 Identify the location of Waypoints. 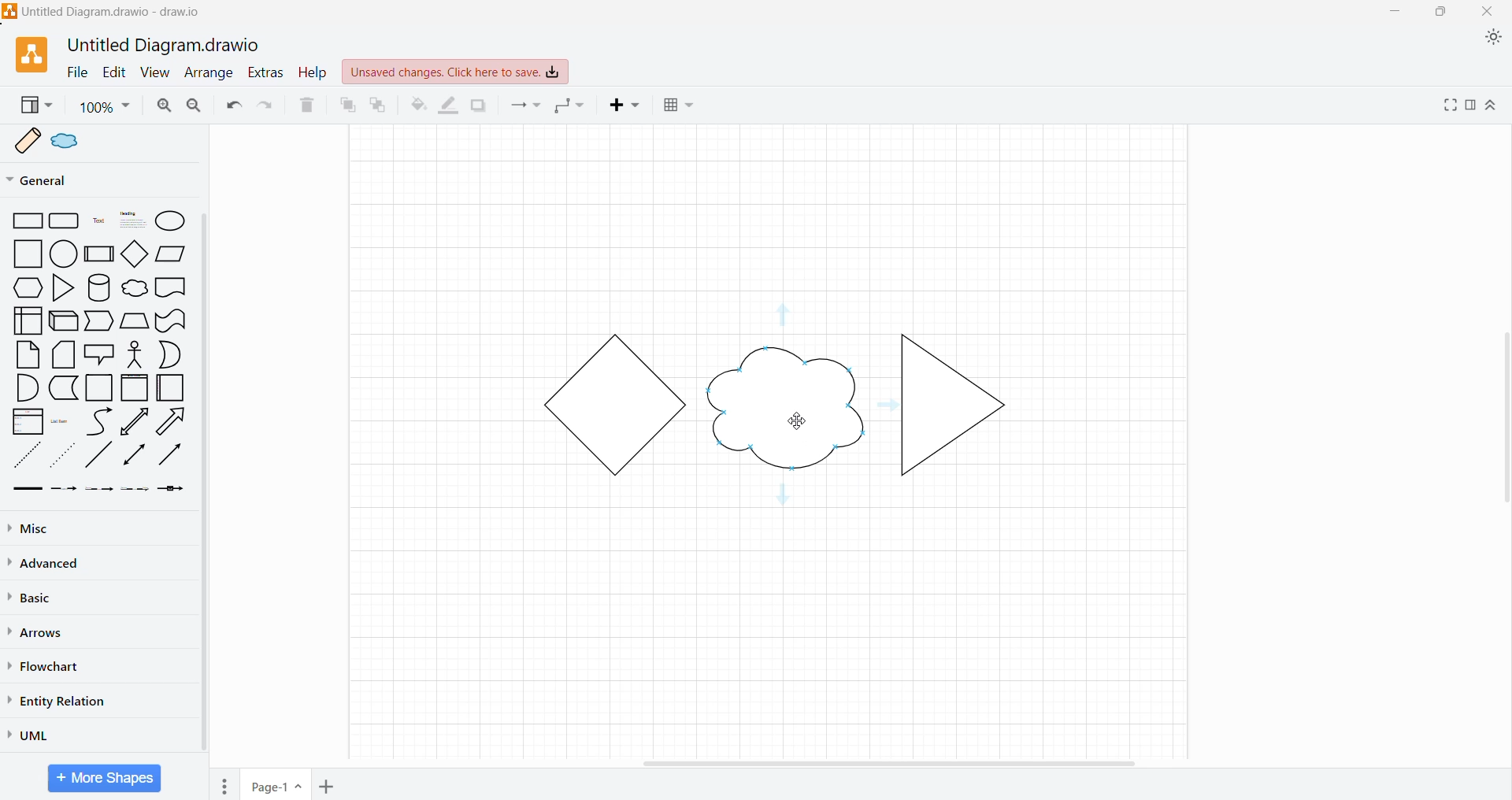
(570, 107).